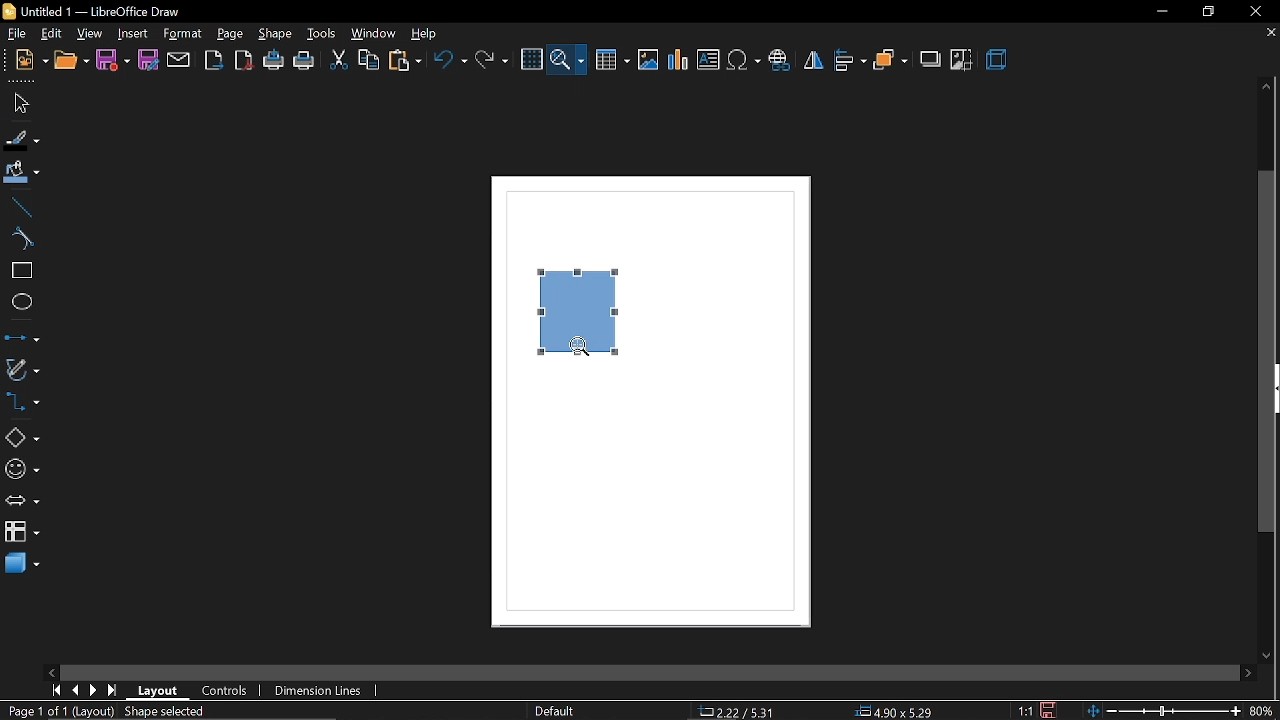 Image resolution: width=1280 pixels, height=720 pixels. What do you see at coordinates (534, 59) in the screenshot?
I see `grid` at bounding box center [534, 59].